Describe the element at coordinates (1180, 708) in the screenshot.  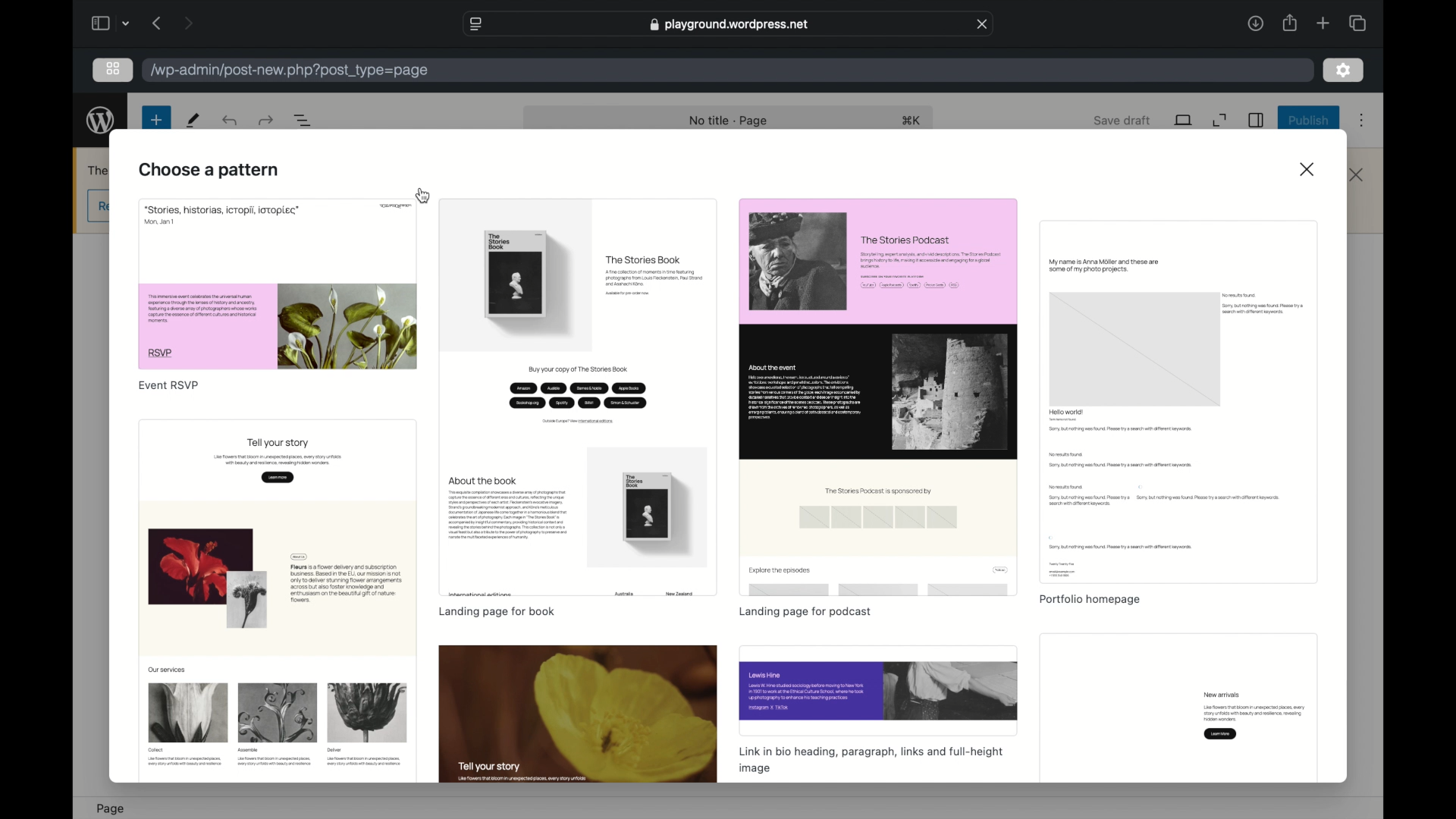
I see `preview` at that location.